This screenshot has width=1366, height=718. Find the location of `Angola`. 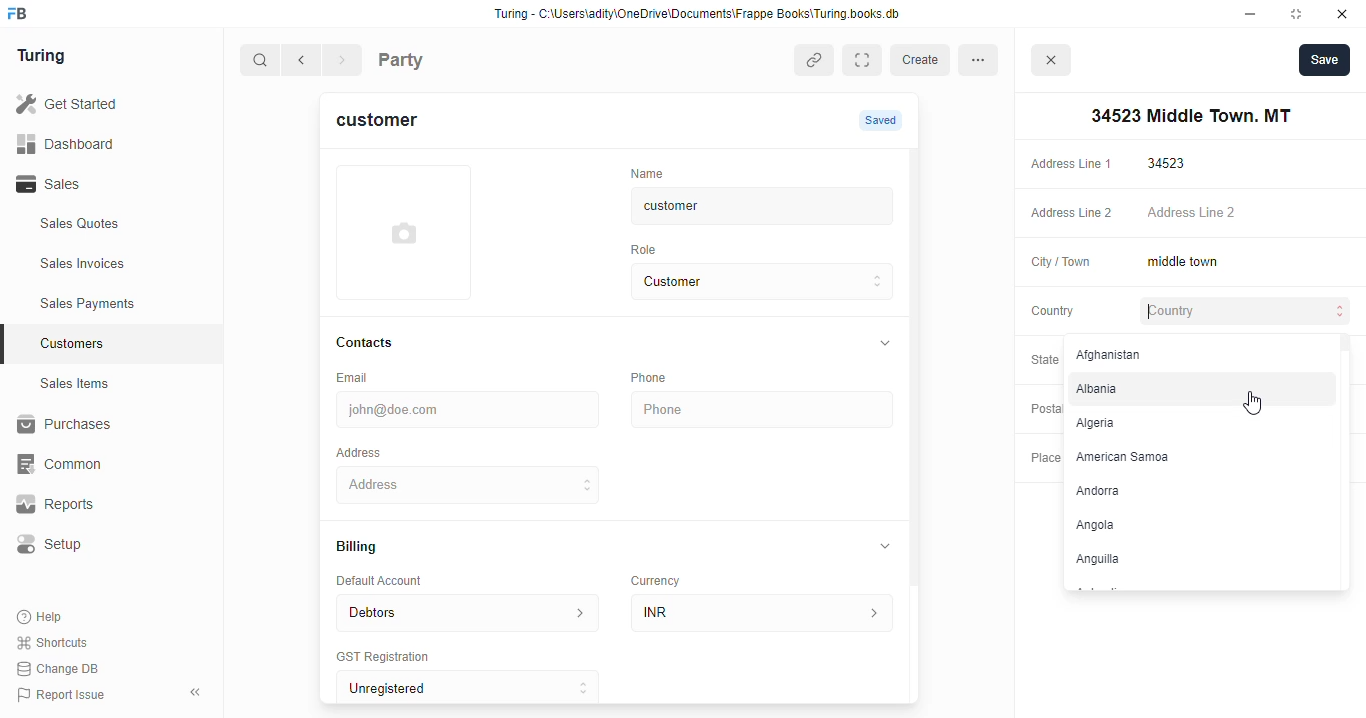

Angola is located at coordinates (1192, 524).